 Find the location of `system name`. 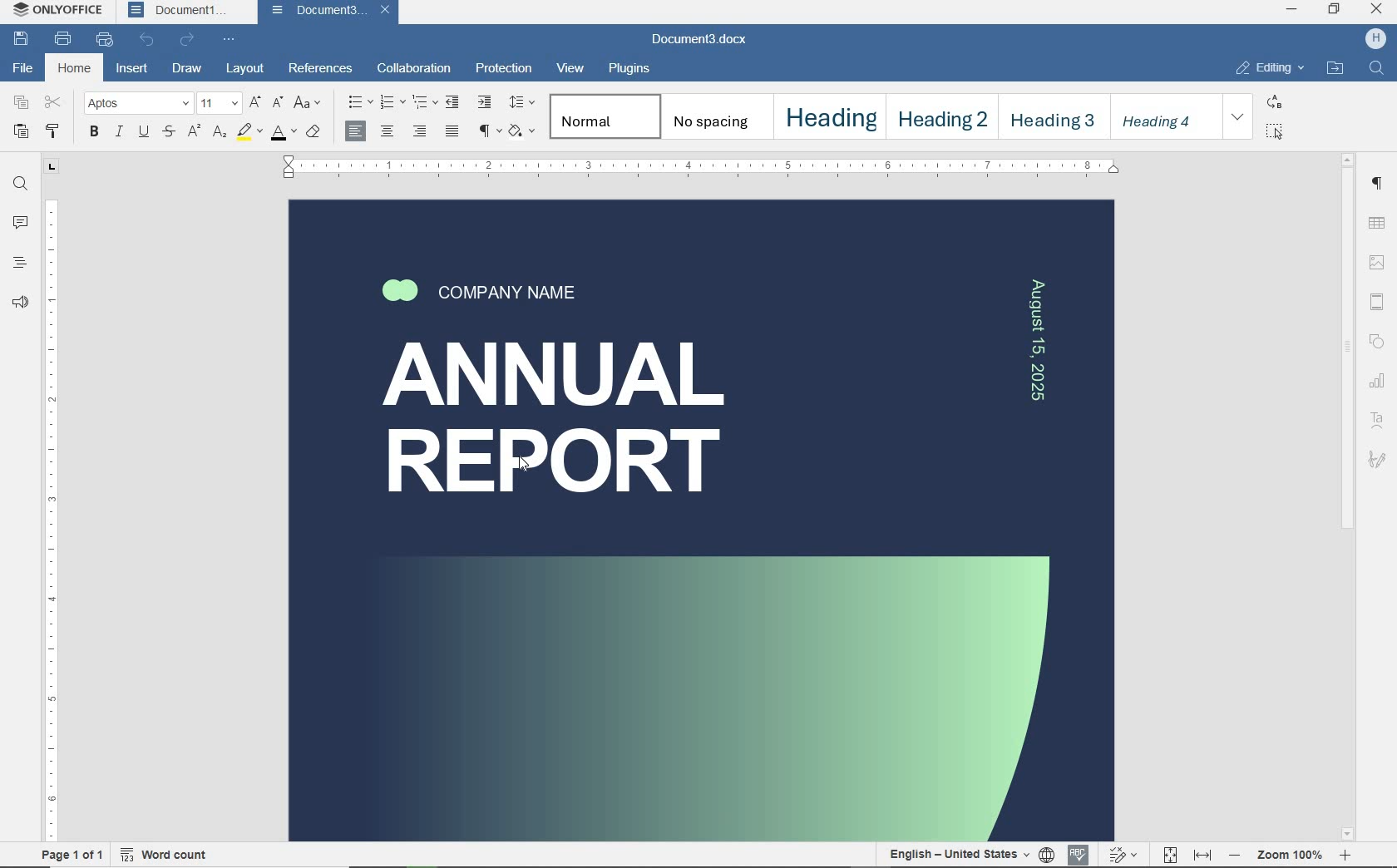

system name is located at coordinates (56, 9).